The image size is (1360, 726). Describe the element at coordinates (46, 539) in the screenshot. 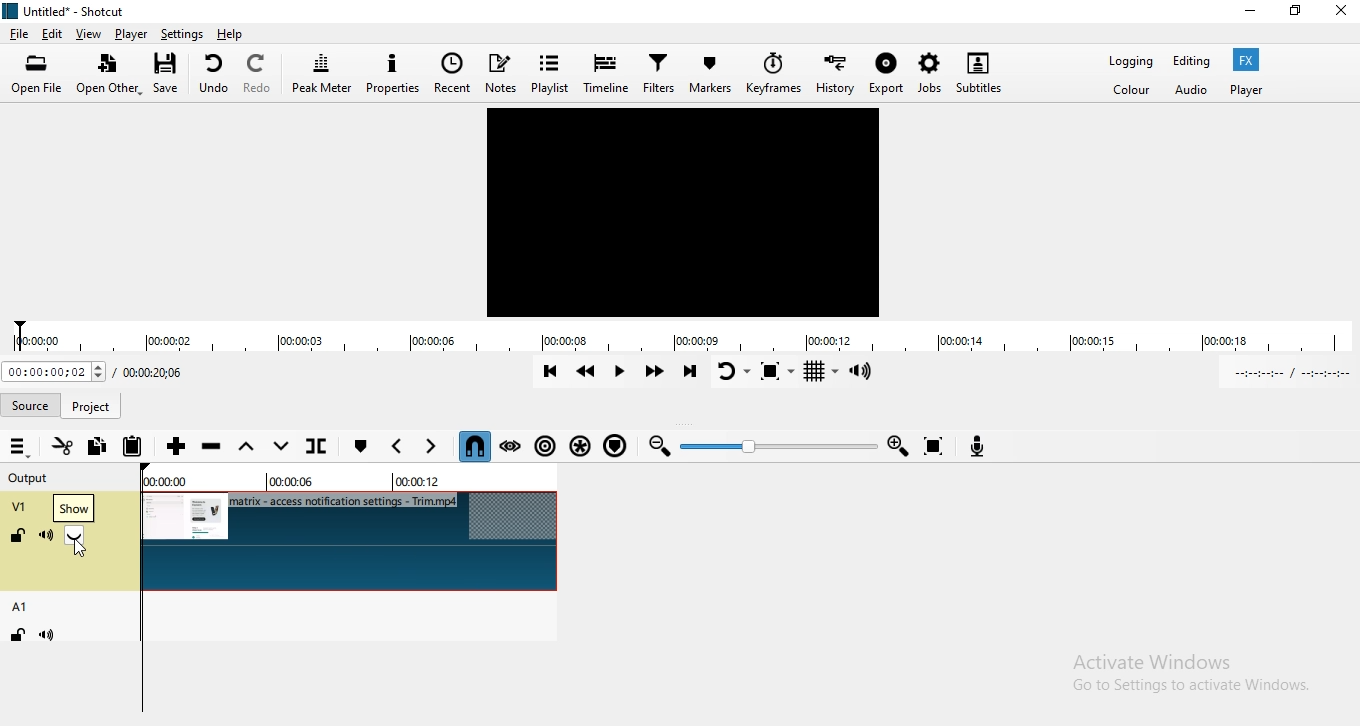

I see `Mute` at that location.